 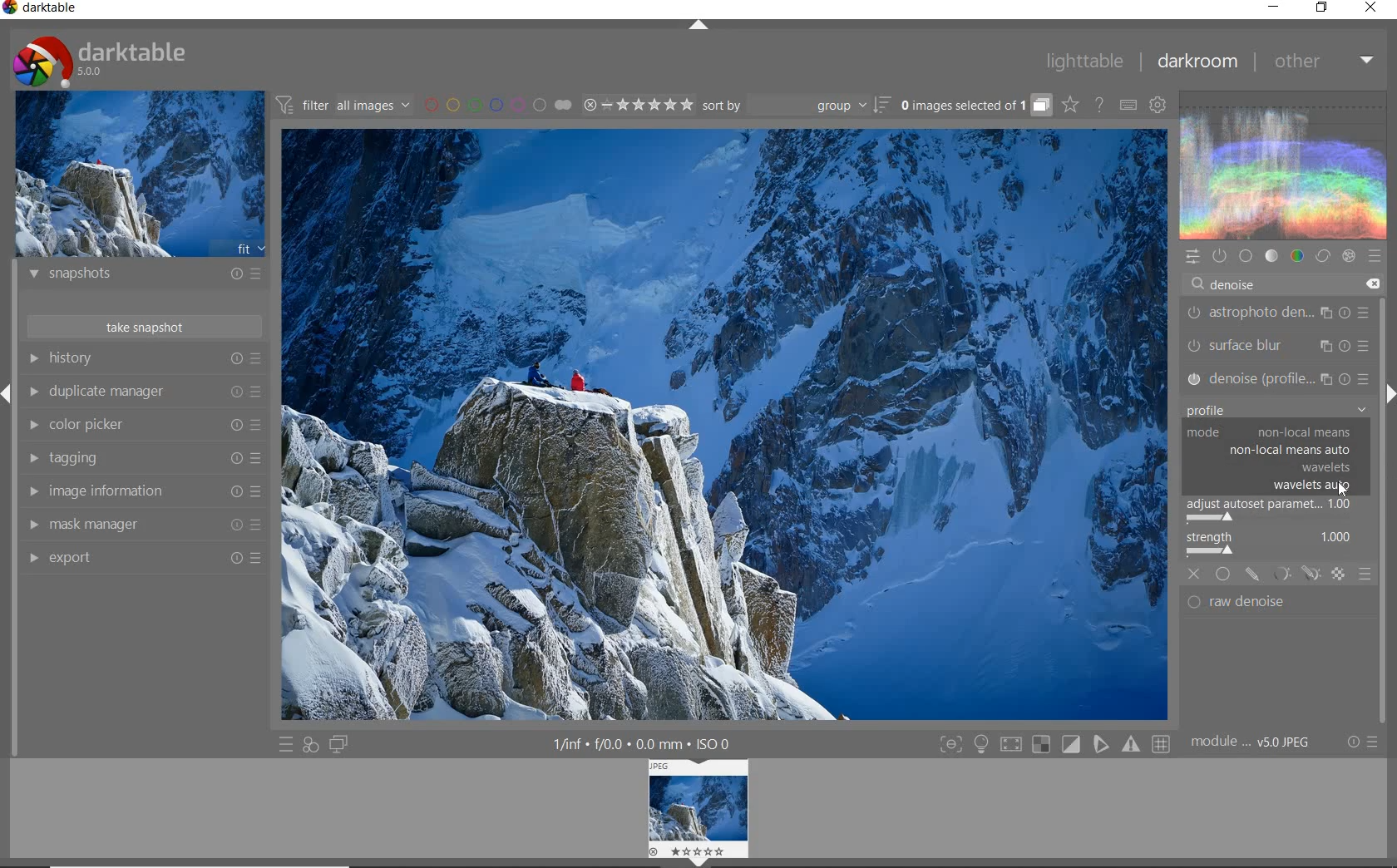 I want to click on waveform, so click(x=1285, y=164).